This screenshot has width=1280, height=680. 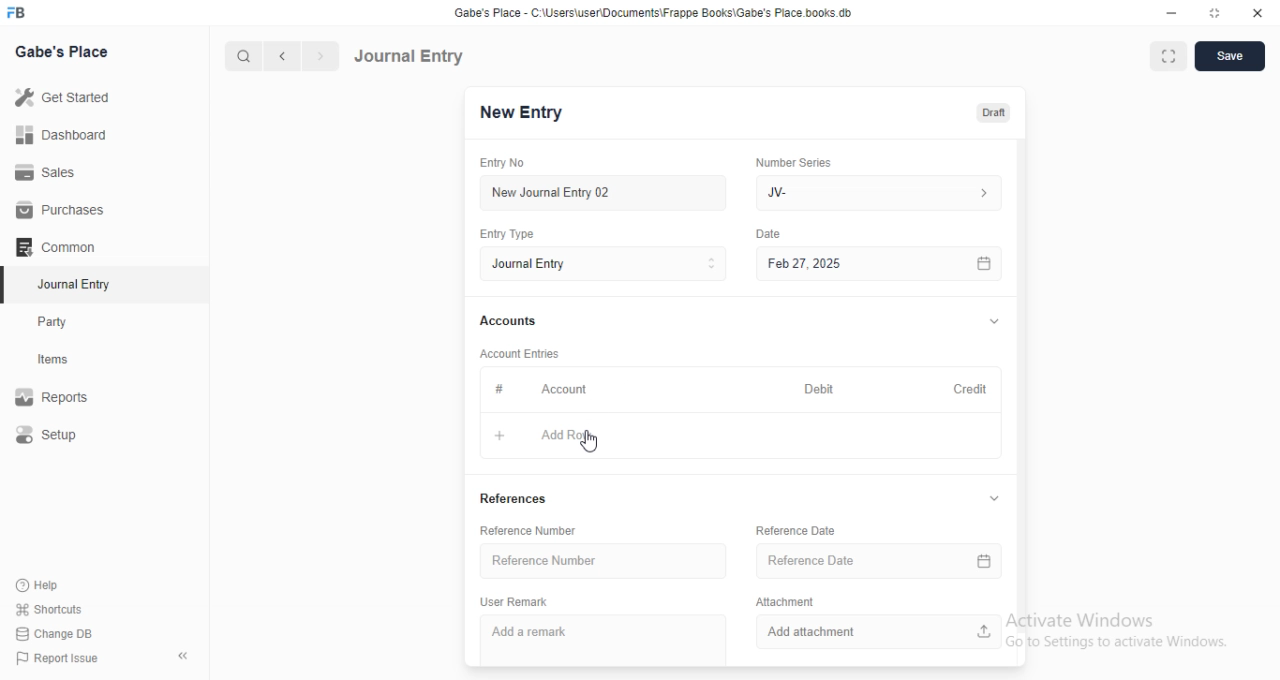 What do you see at coordinates (571, 435) in the screenshot?
I see `Add Row` at bounding box center [571, 435].